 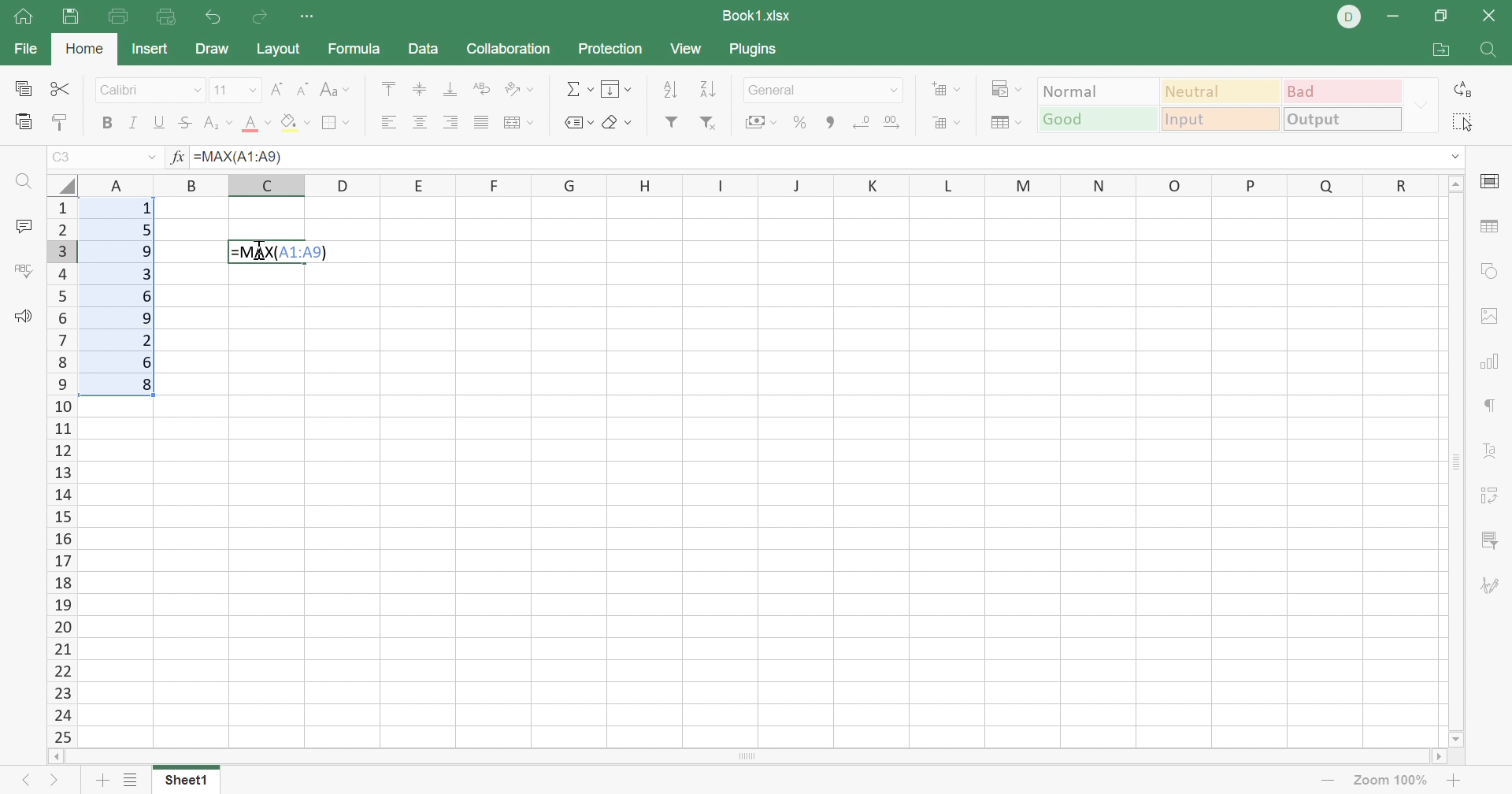 What do you see at coordinates (57, 781) in the screenshot?
I see `Next` at bounding box center [57, 781].